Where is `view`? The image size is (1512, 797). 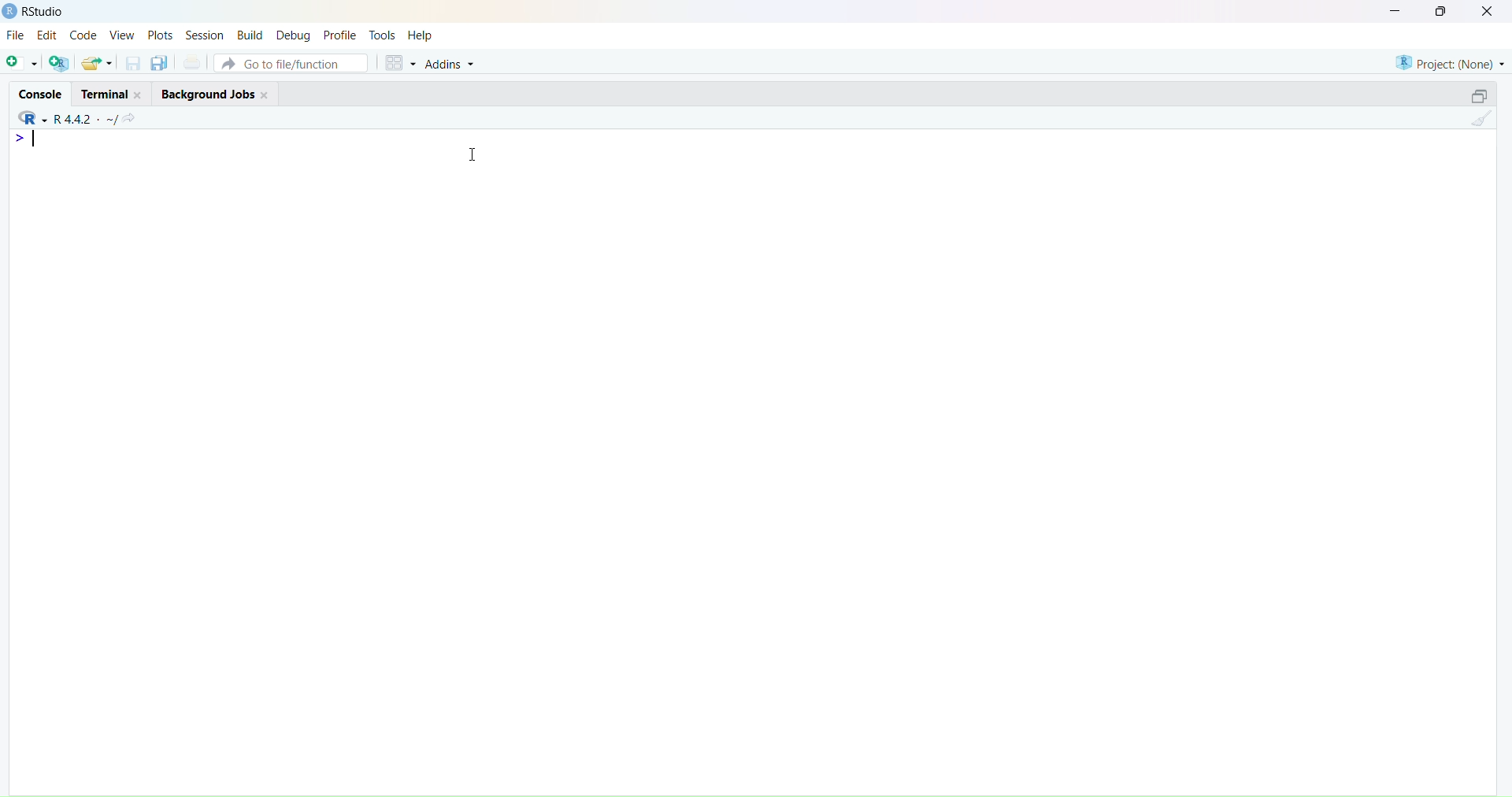
view is located at coordinates (122, 35).